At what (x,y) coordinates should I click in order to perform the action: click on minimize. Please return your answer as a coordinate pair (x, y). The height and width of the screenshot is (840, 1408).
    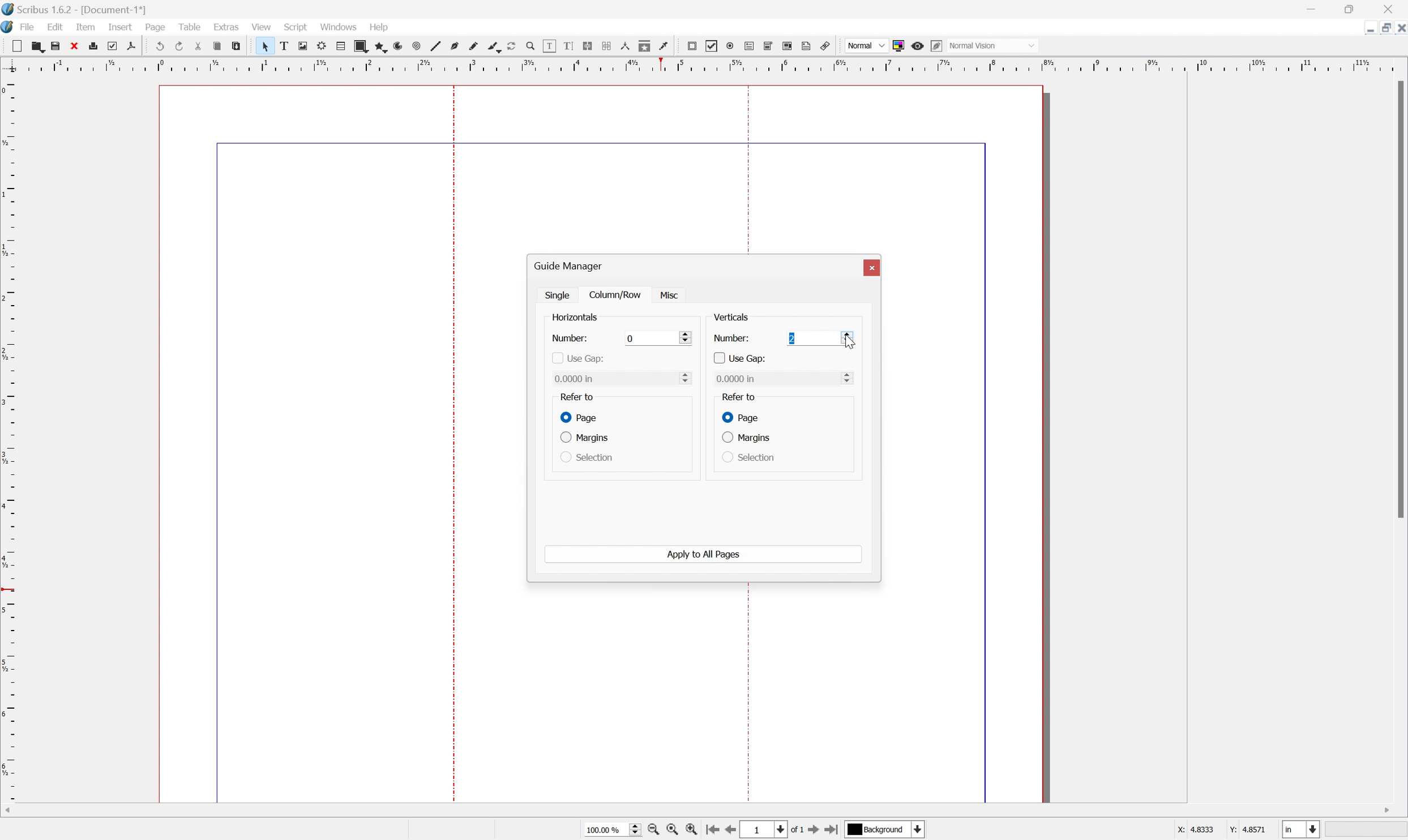
    Looking at the image, I should click on (1311, 7).